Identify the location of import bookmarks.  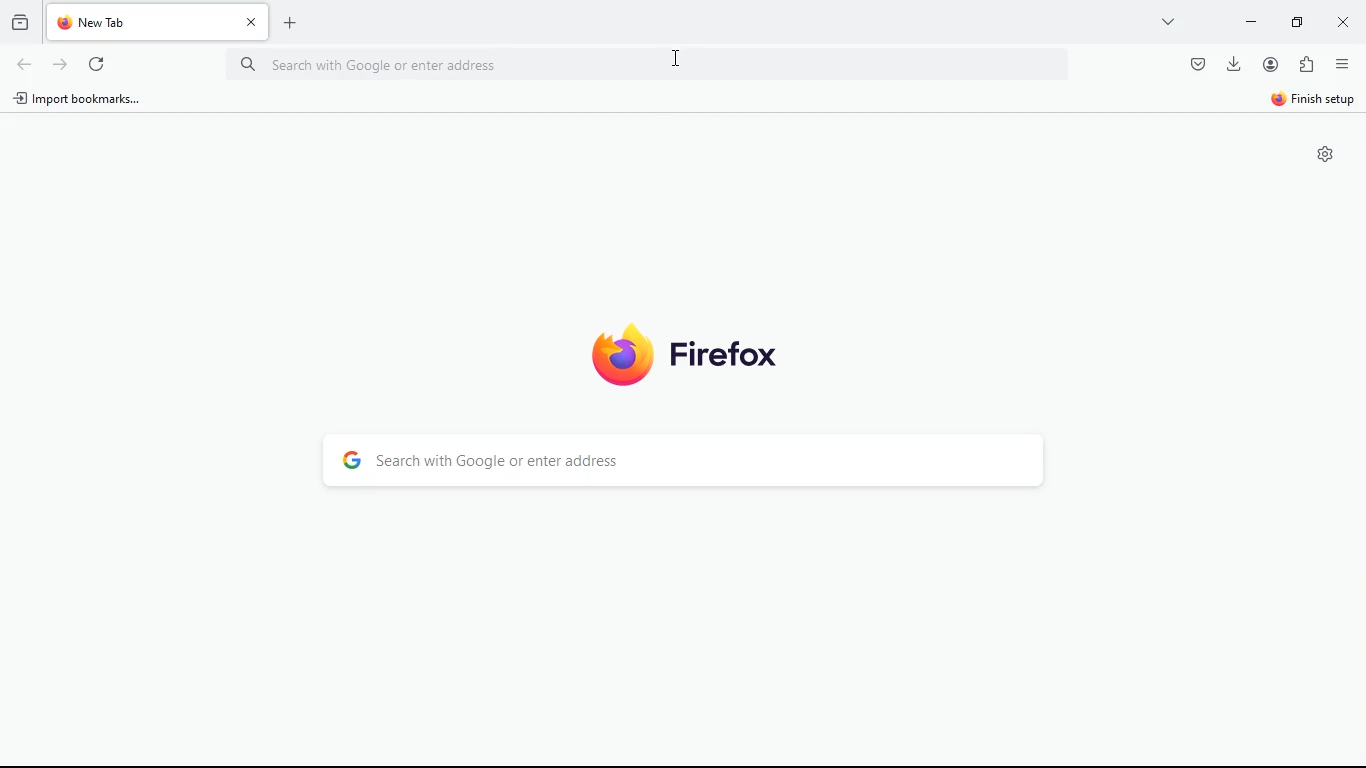
(85, 101).